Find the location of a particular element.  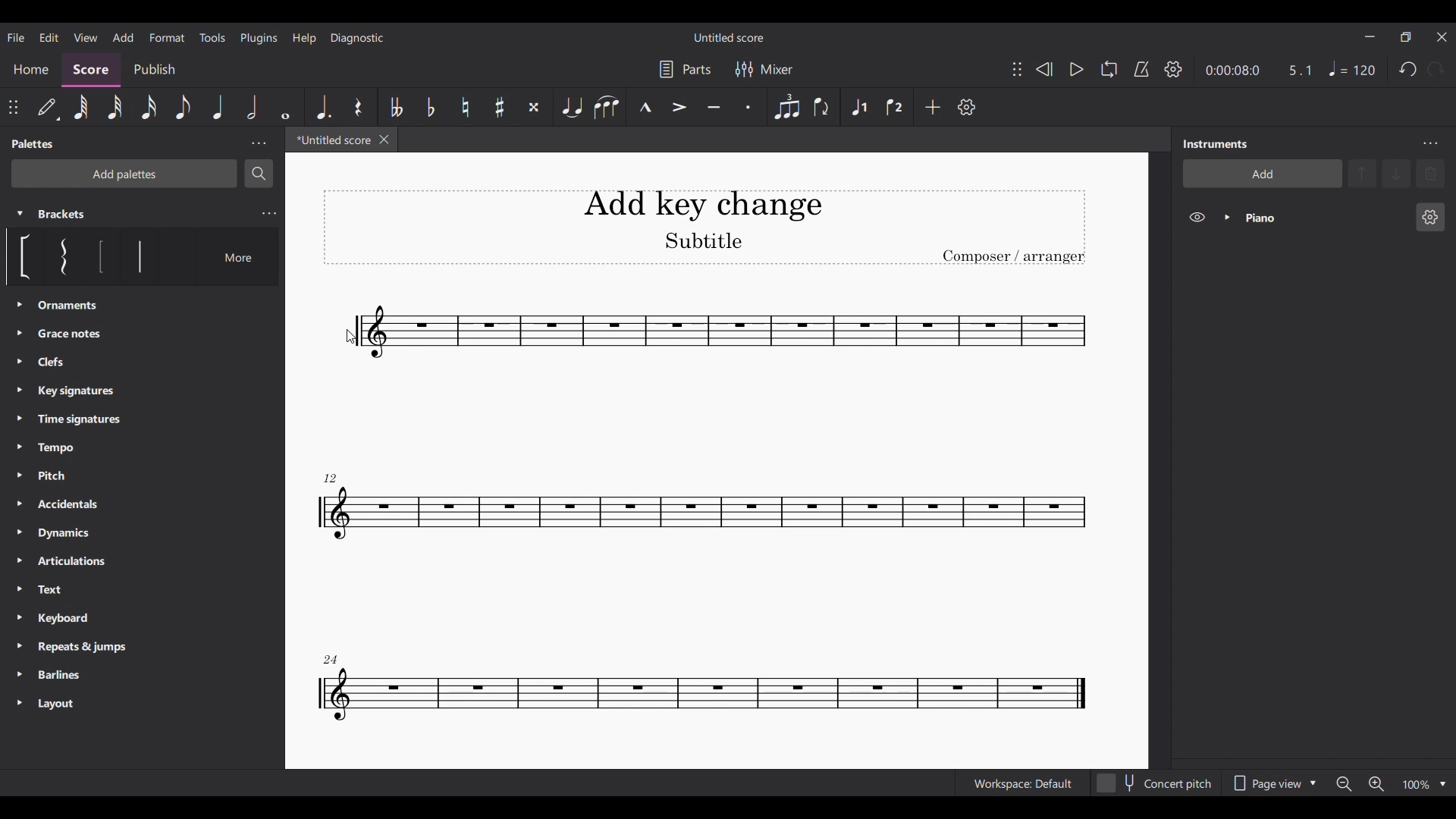

Slur is located at coordinates (606, 108).